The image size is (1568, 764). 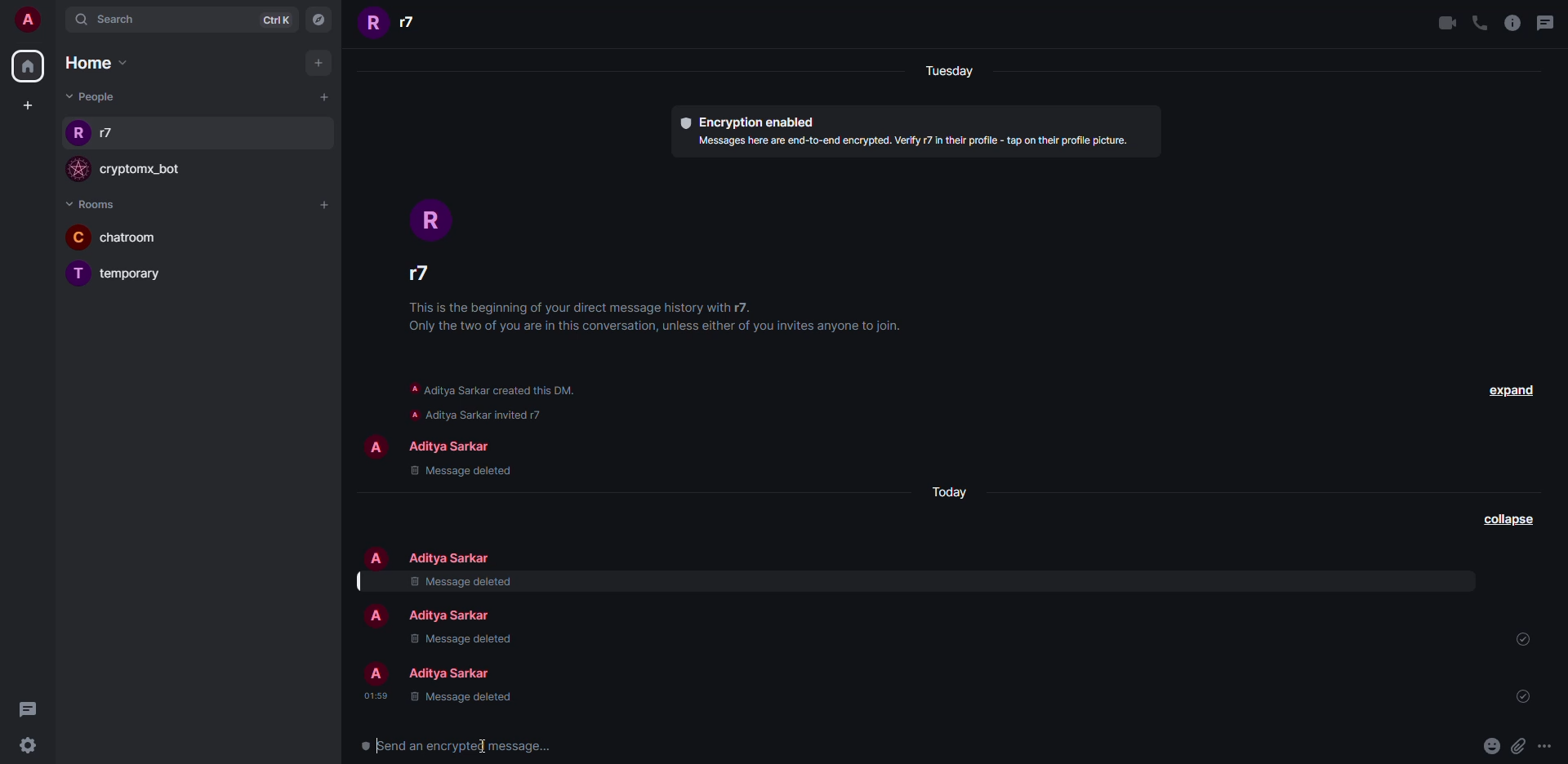 I want to click on profile, so click(x=80, y=237).